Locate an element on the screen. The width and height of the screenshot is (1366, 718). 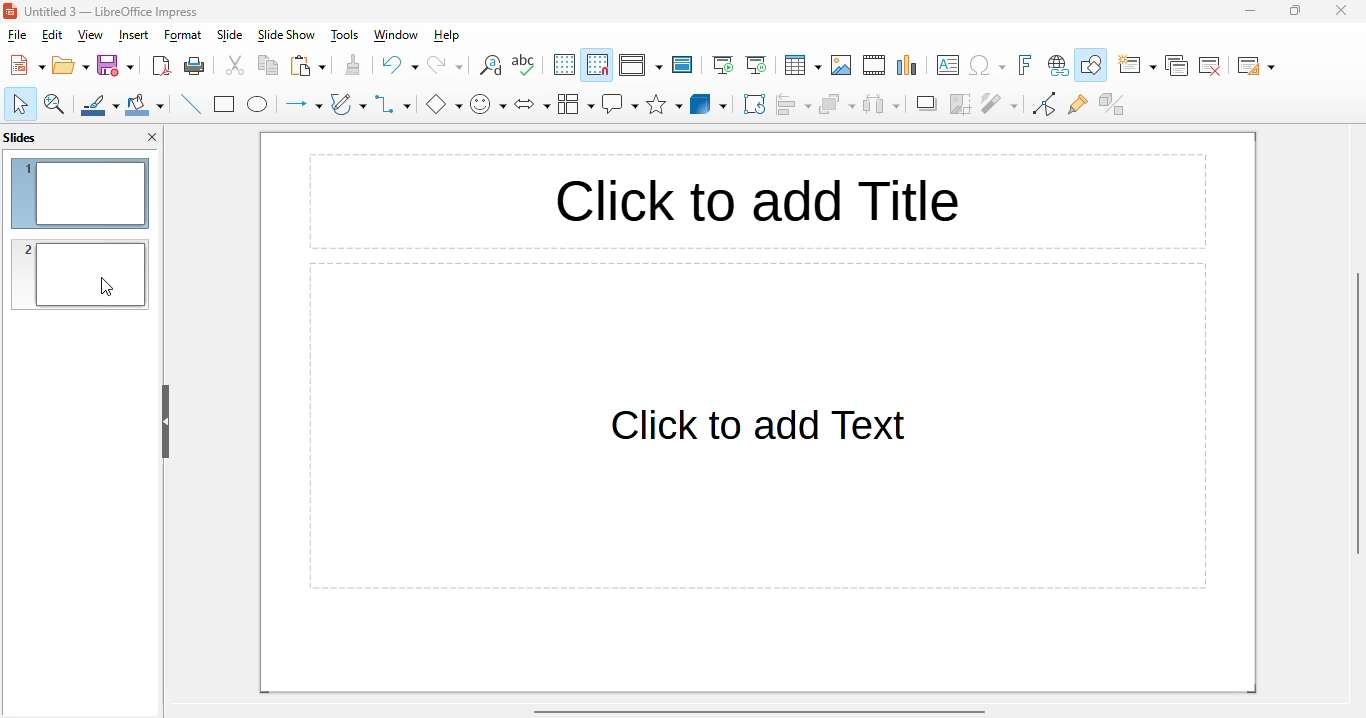
insert image is located at coordinates (841, 65).